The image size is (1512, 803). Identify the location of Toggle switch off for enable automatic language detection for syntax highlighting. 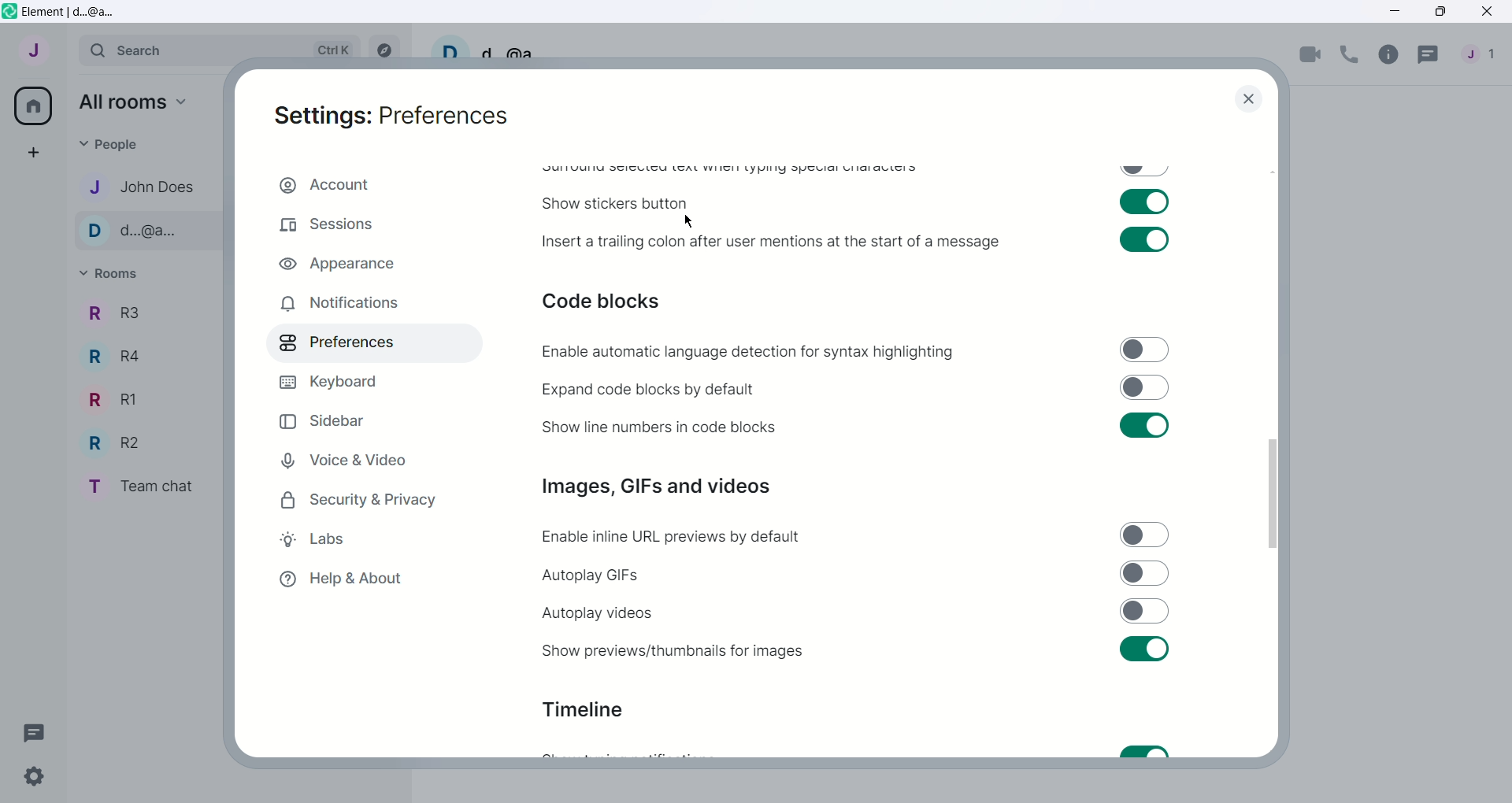
(1144, 350).